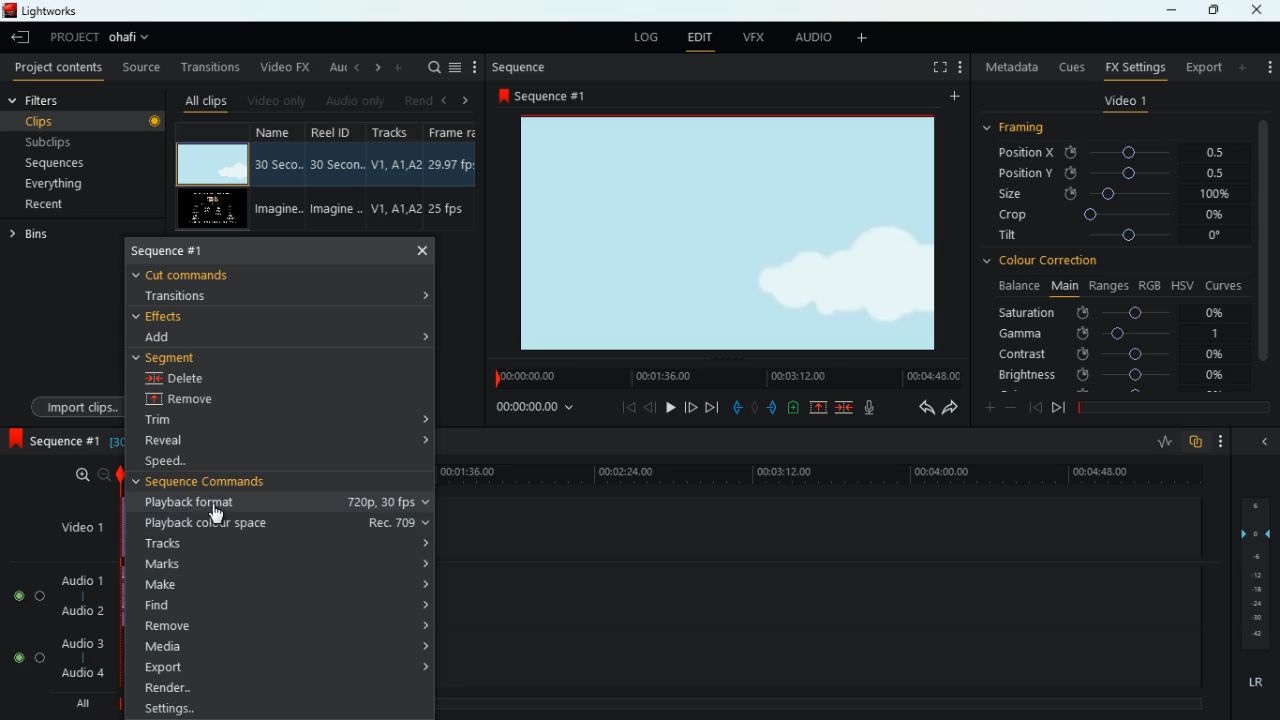 This screenshot has width=1280, height=720. I want to click on trim, so click(186, 421).